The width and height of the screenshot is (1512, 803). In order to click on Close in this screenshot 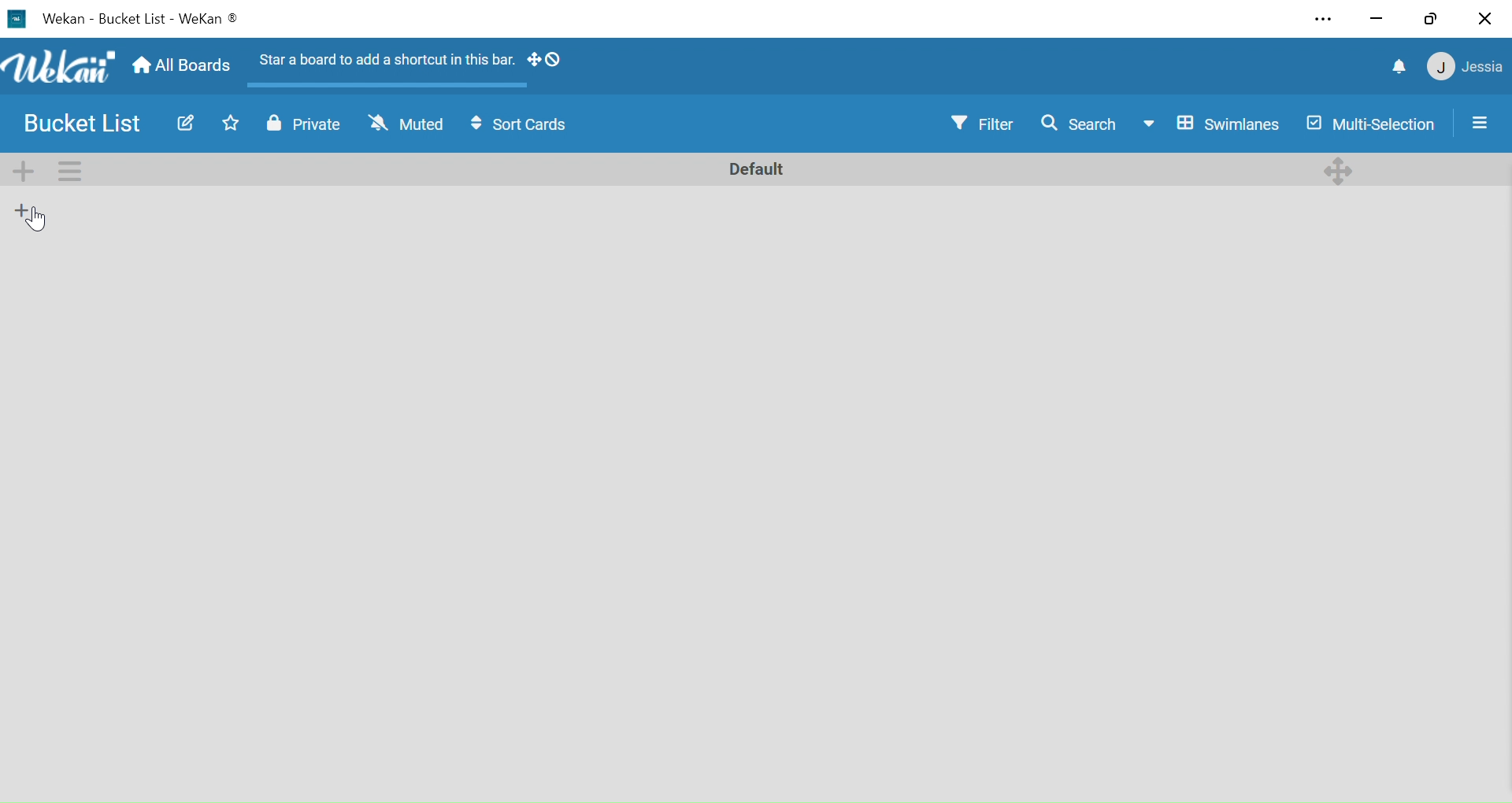, I will do `click(1484, 20)`.